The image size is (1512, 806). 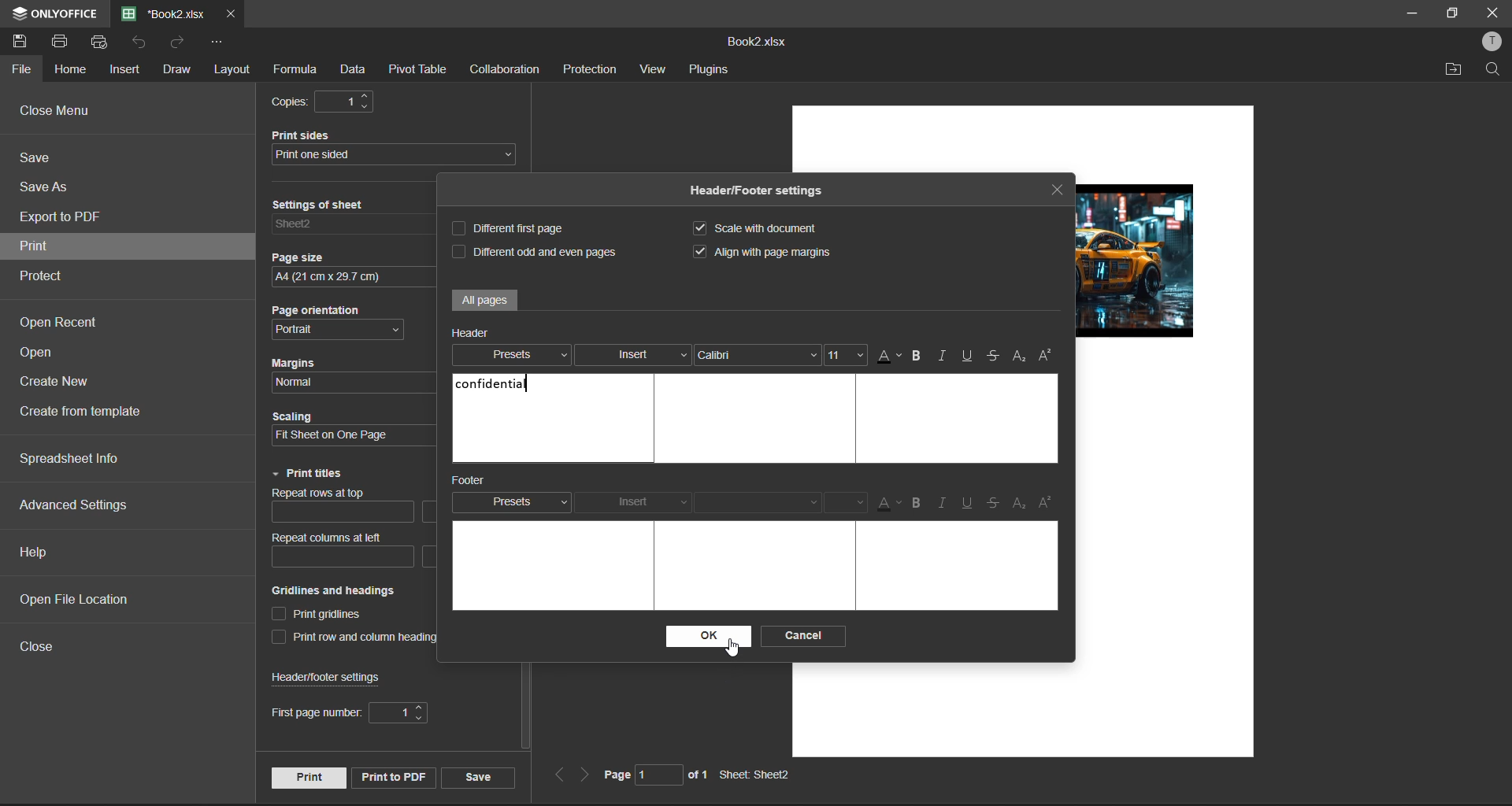 I want to click on header content, so click(x=496, y=383).